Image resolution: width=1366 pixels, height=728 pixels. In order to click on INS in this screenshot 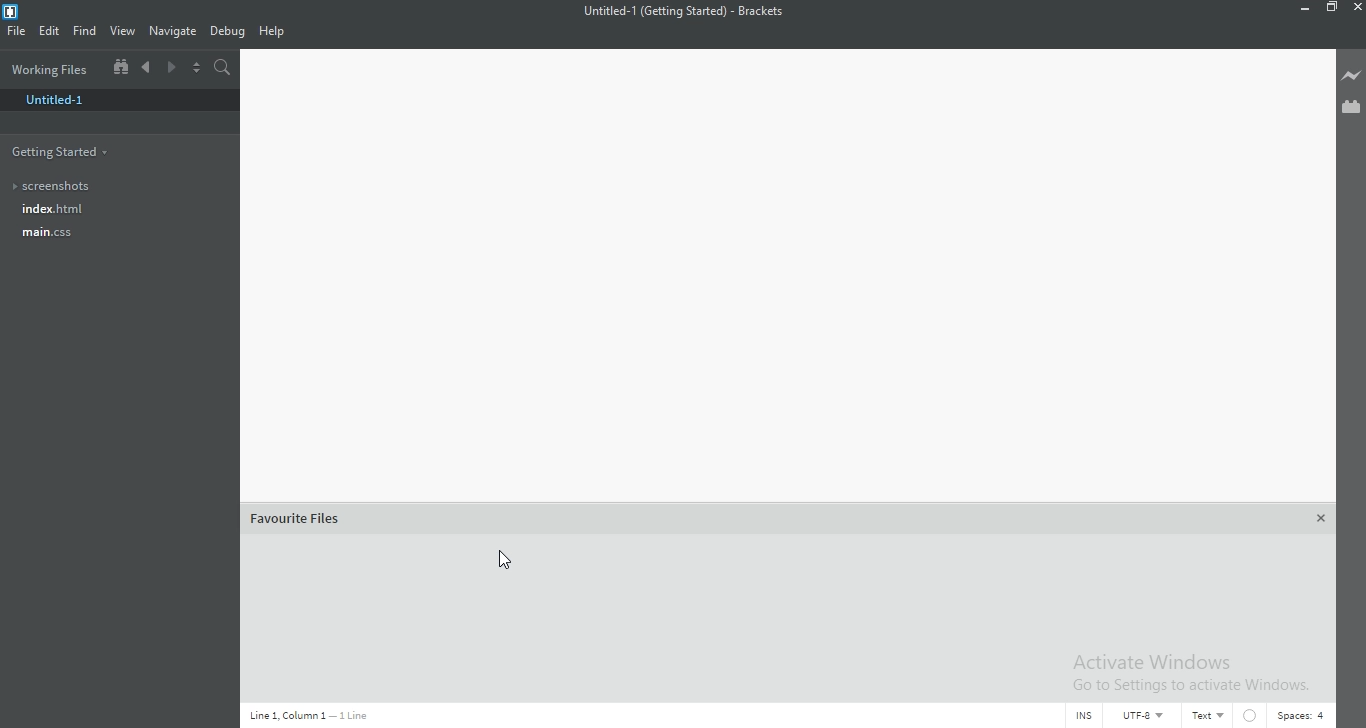, I will do `click(1086, 715)`.